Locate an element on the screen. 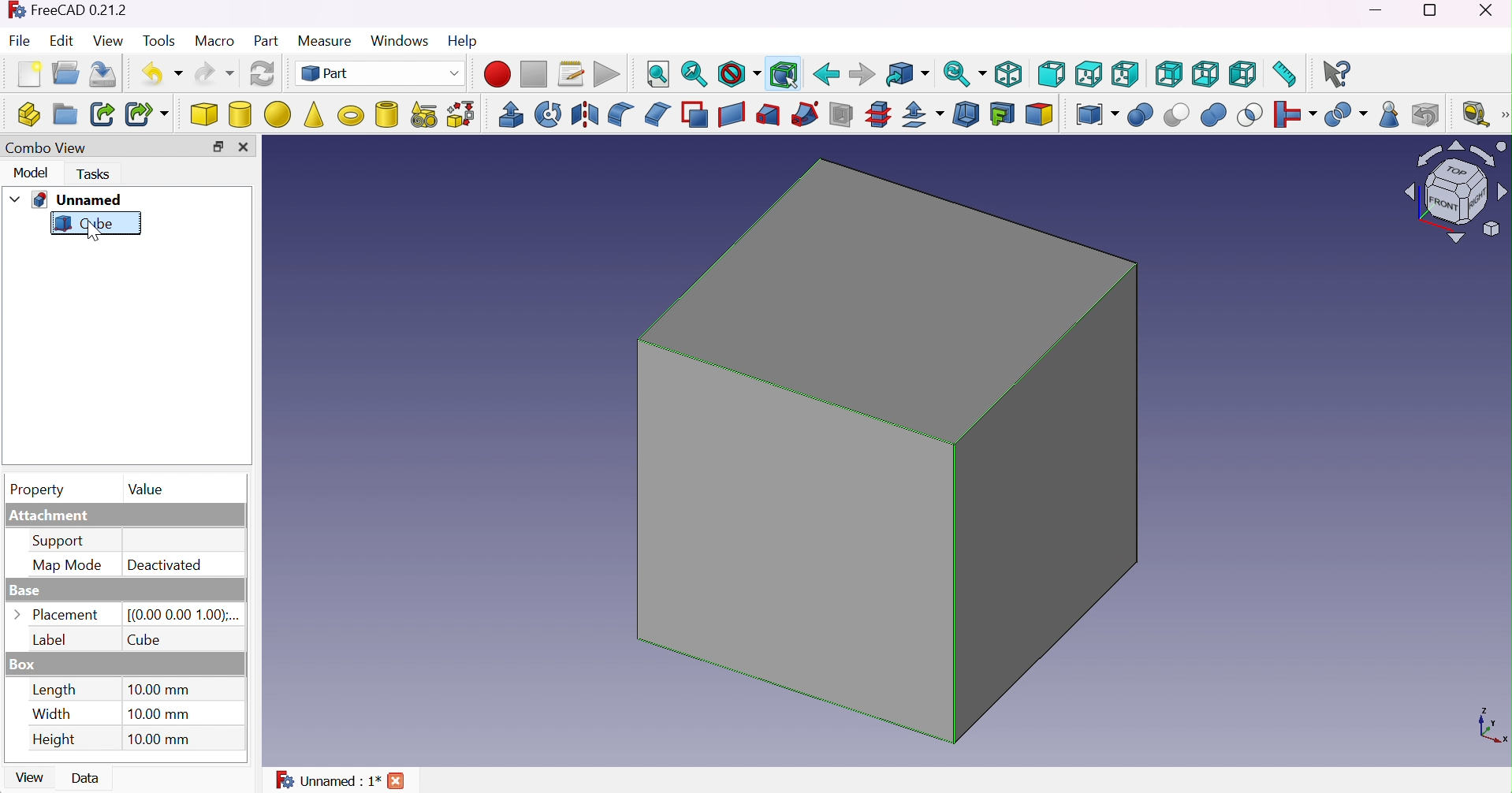  Windows is located at coordinates (401, 41).